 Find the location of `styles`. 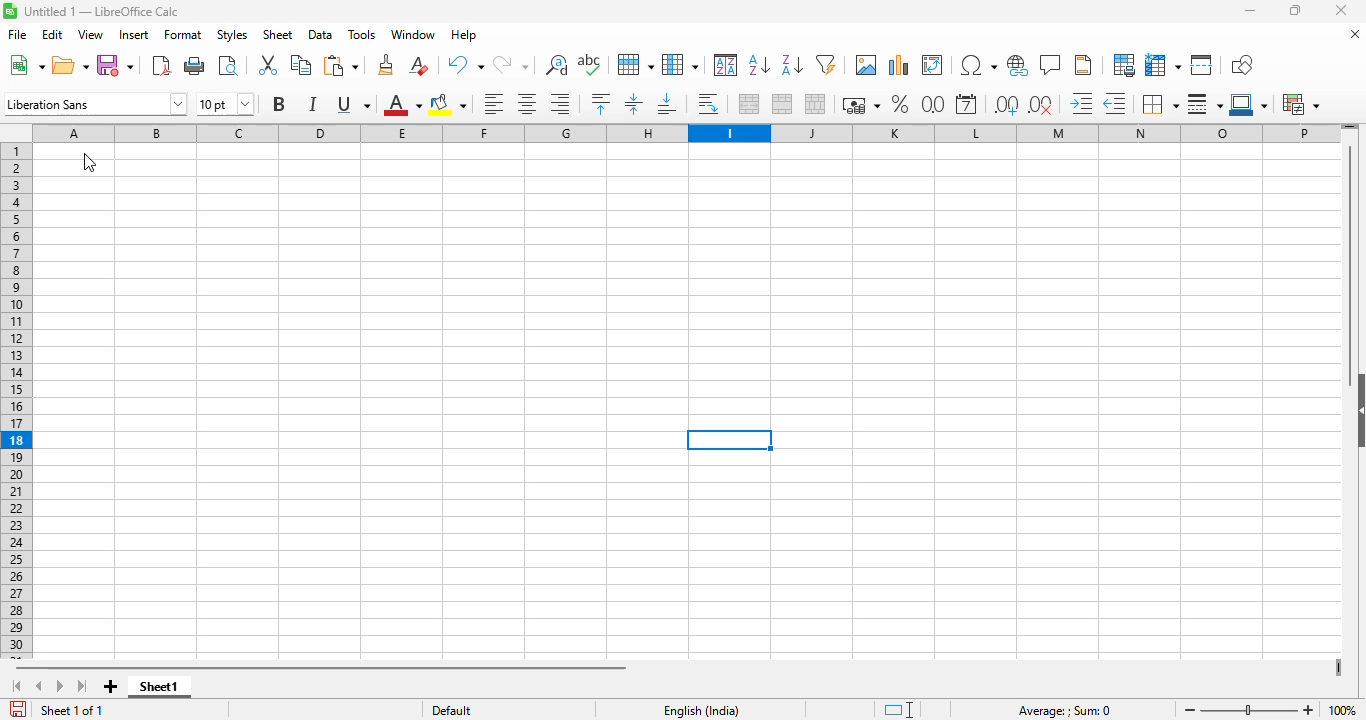

styles is located at coordinates (232, 34).